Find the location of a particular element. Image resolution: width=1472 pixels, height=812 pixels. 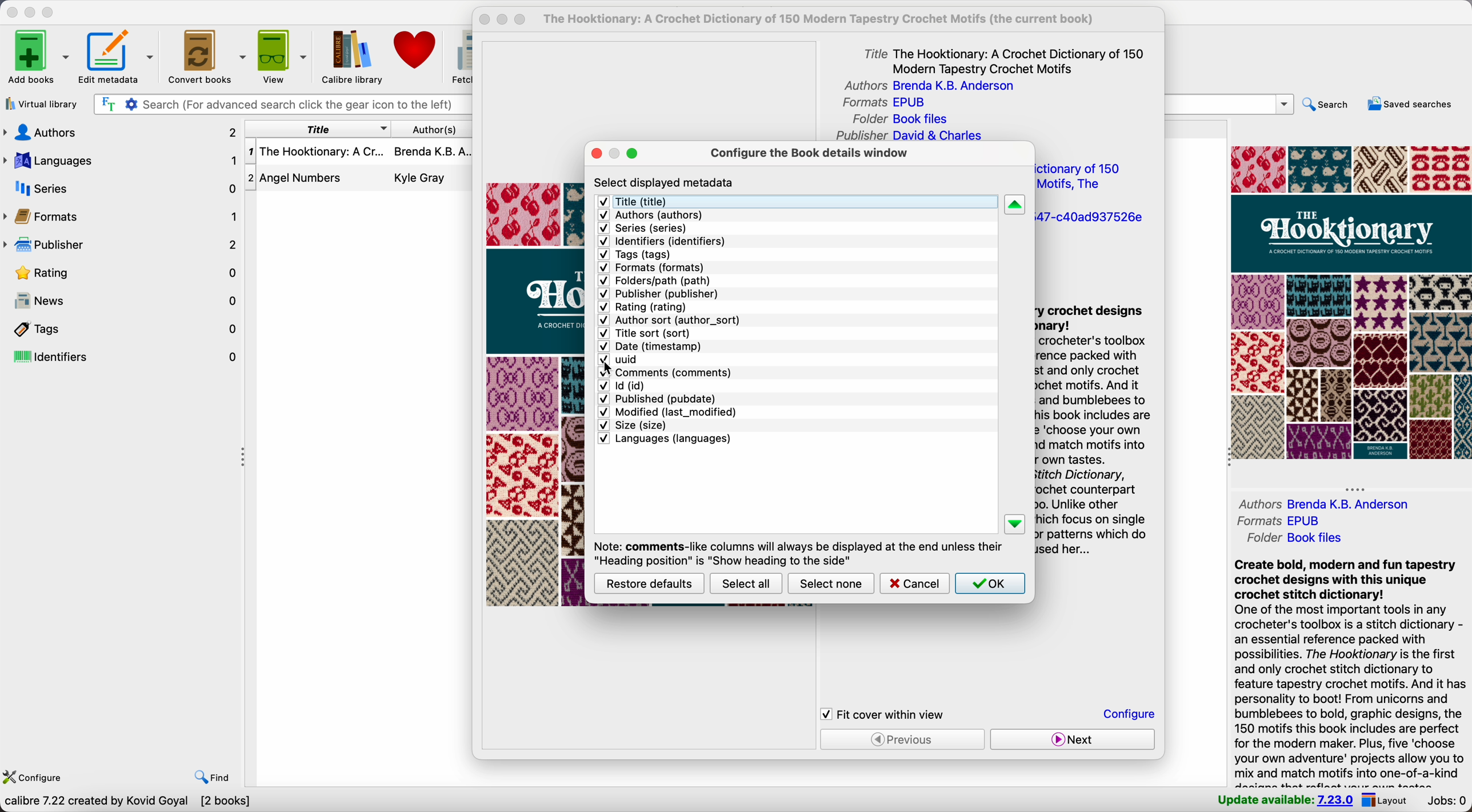

fit cover within view is located at coordinates (883, 714).